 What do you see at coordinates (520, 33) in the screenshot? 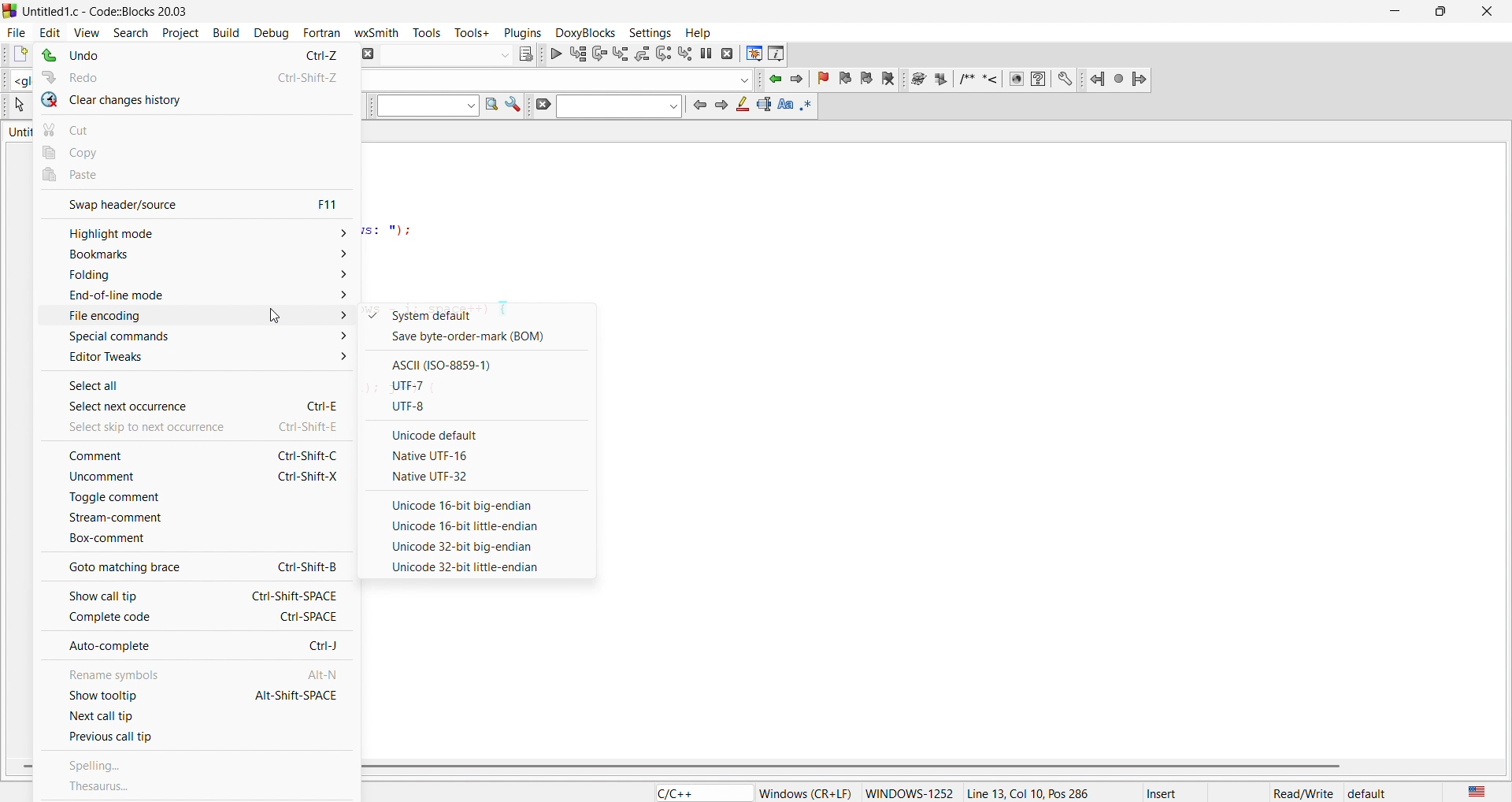
I see `plugins` at bounding box center [520, 33].